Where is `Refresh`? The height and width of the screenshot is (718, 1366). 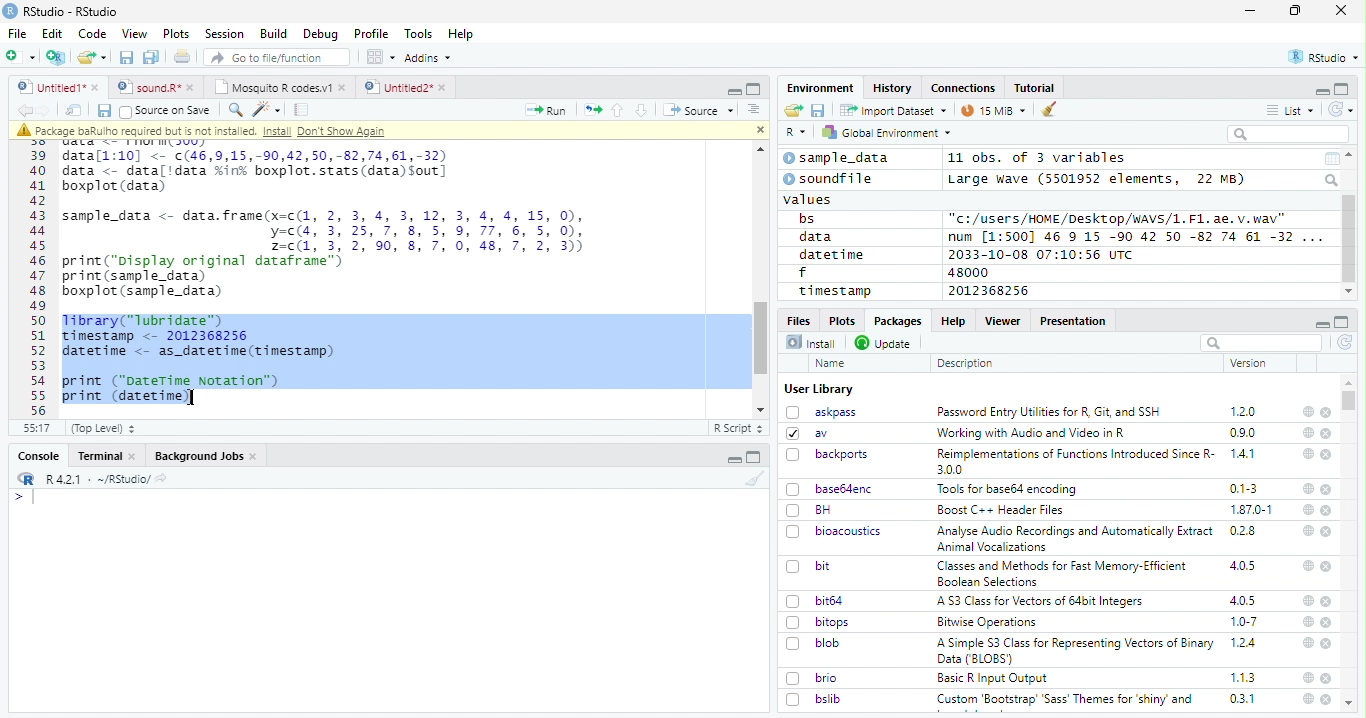
Refresh is located at coordinates (1342, 109).